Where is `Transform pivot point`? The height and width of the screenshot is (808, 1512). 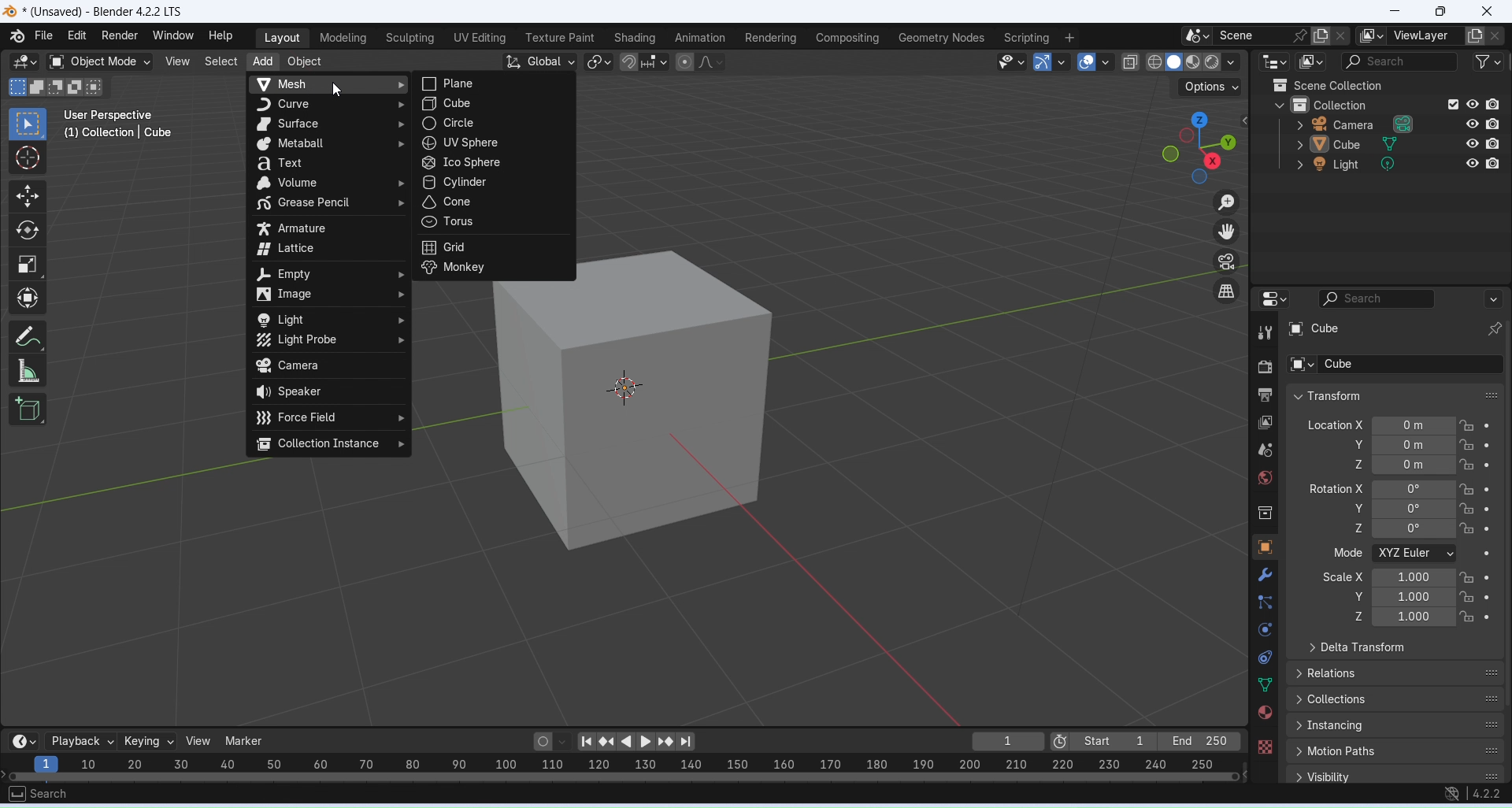 Transform pivot point is located at coordinates (598, 61).